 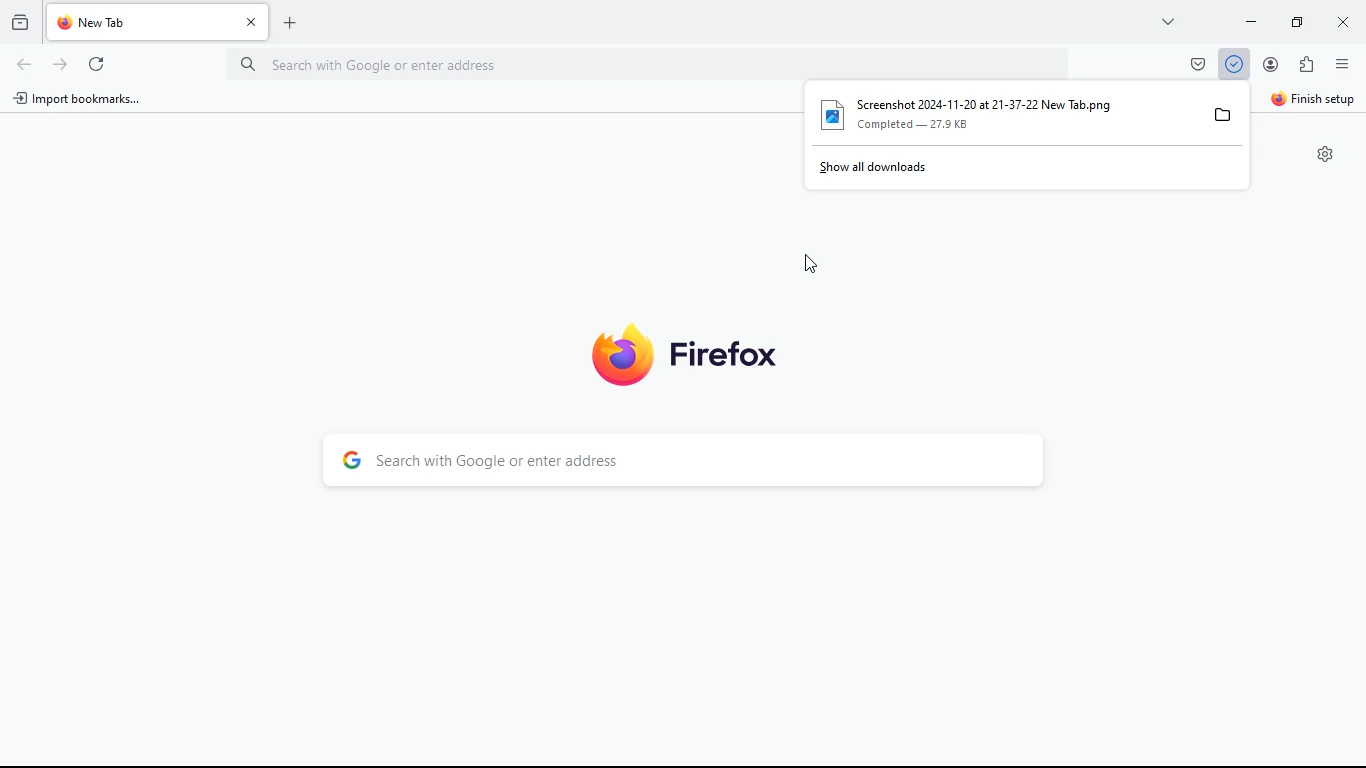 I want to click on tab, so click(x=161, y=22).